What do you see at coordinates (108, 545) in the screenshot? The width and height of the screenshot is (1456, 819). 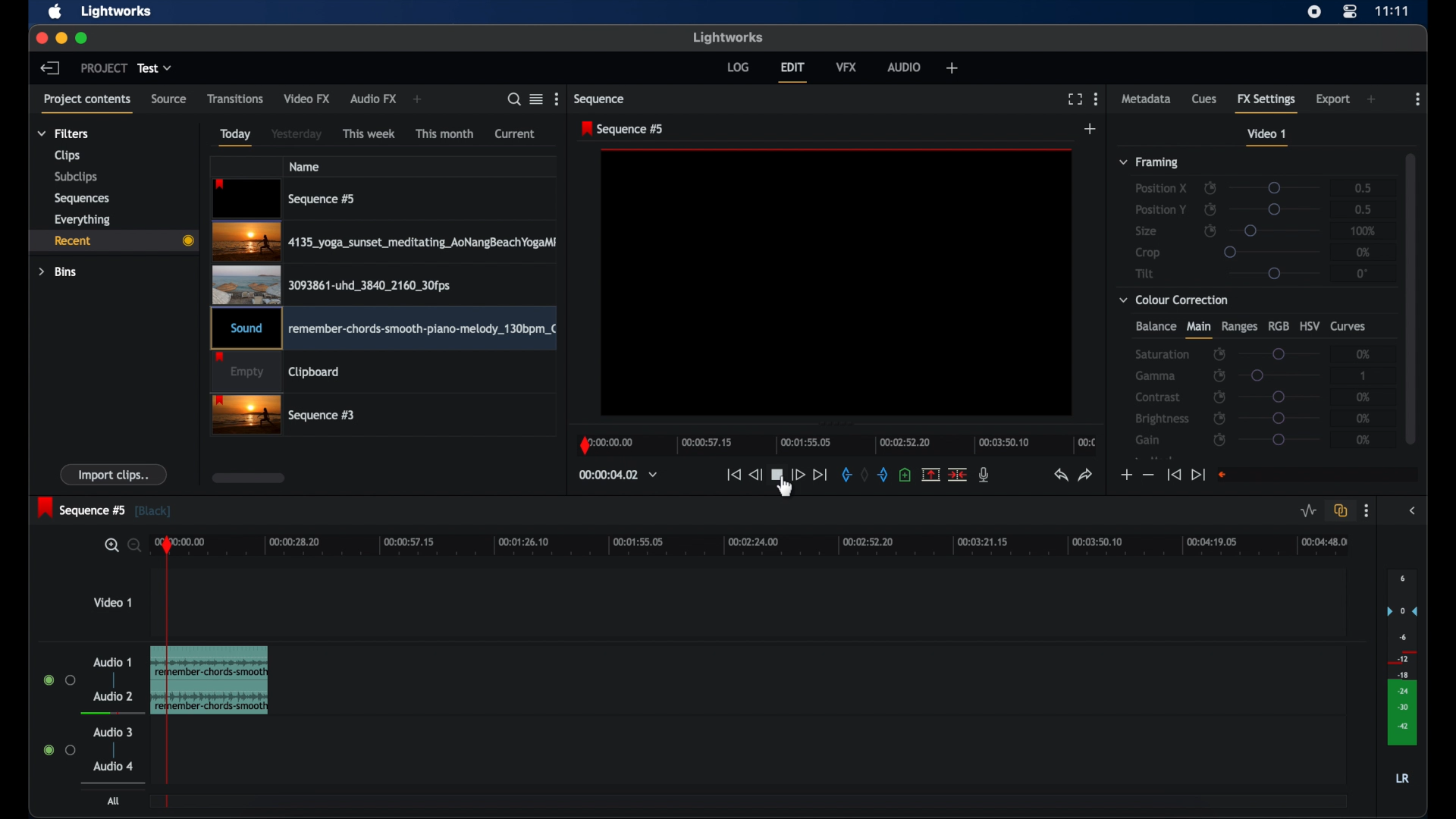 I see `zoom in` at bounding box center [108, 545].